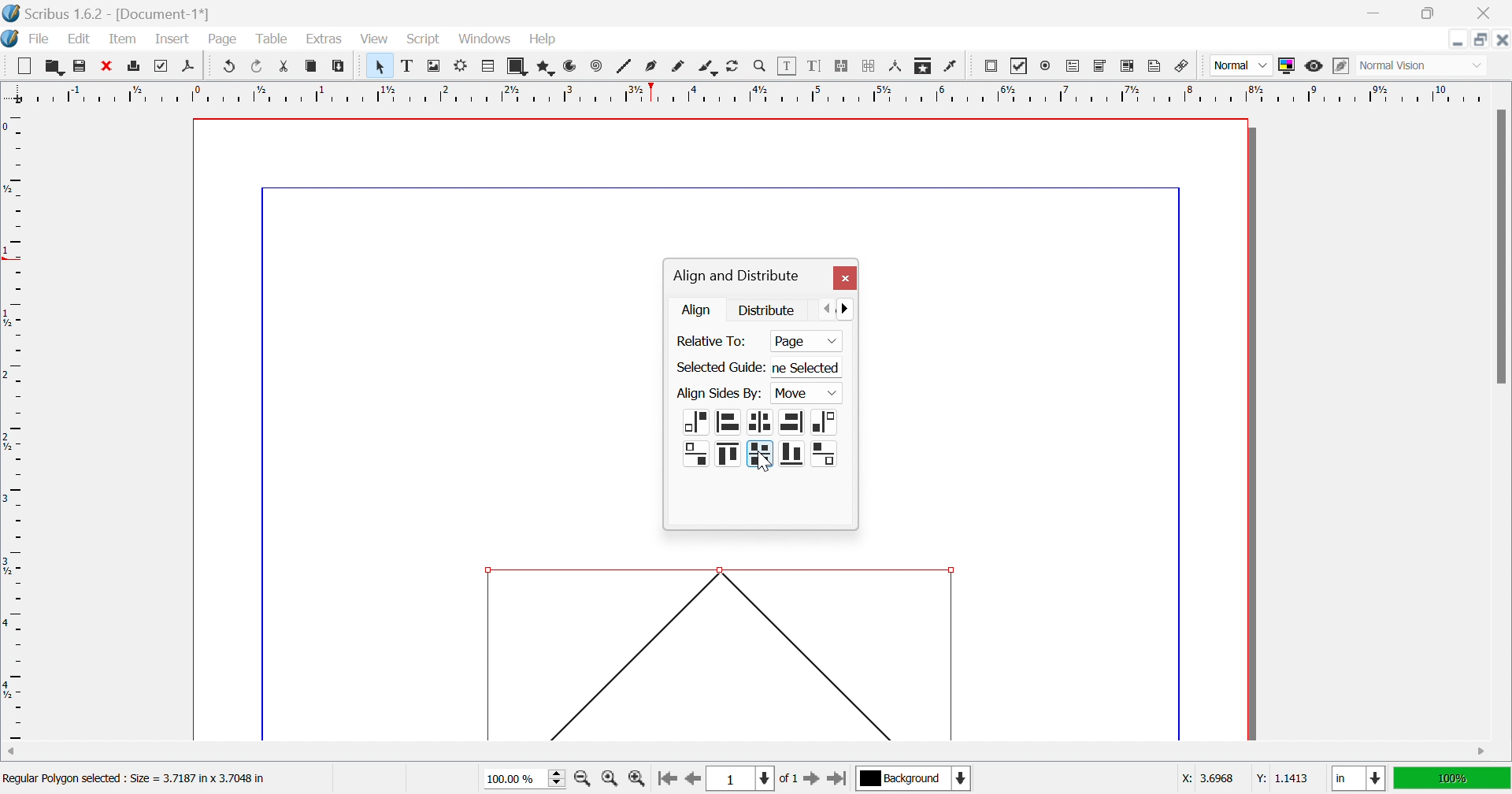  Describe the element at coordinates (713, 440) in the screenshot. I see `Alignments` at that location.